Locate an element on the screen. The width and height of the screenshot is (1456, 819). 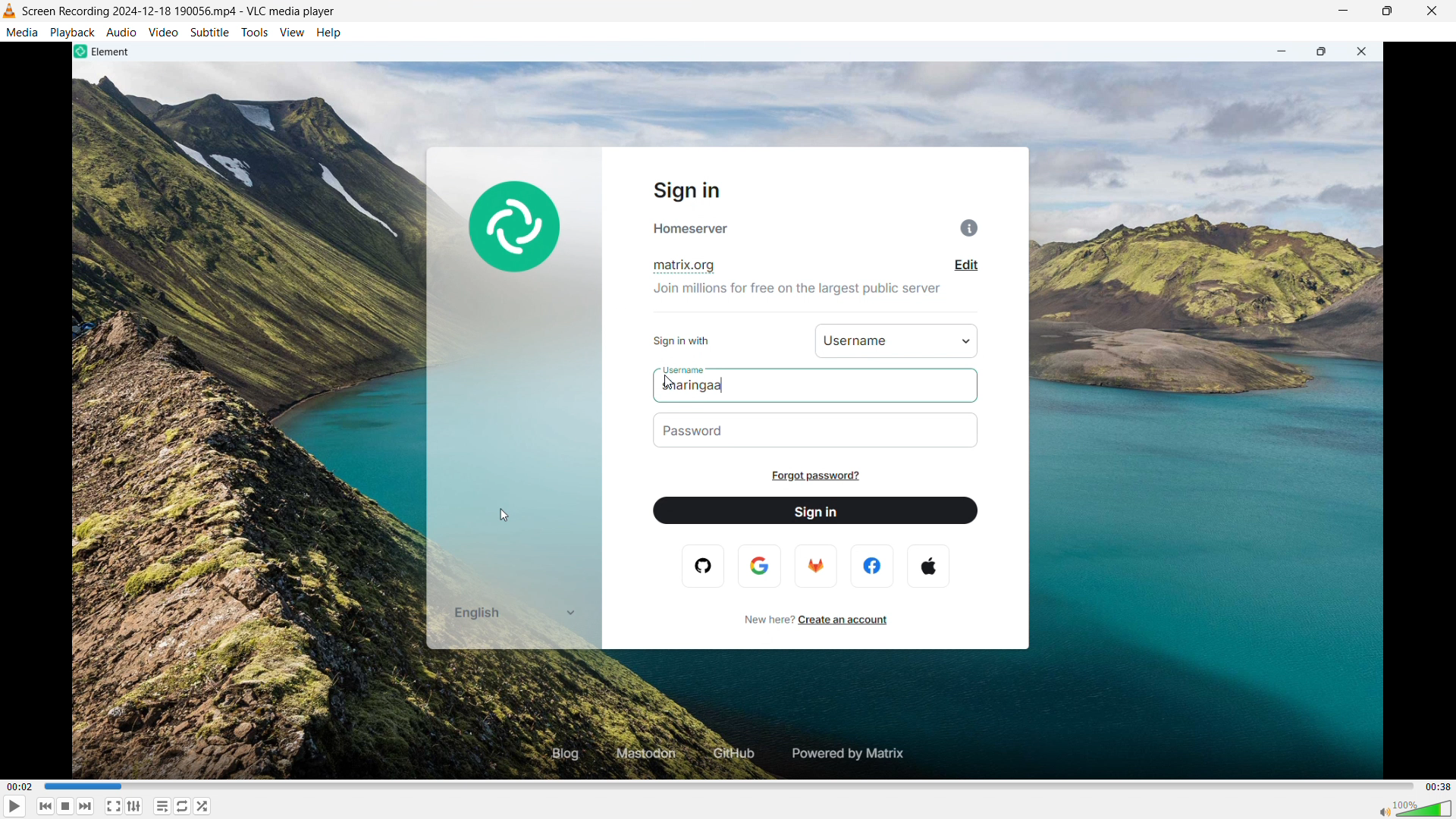
homeserver is located at coordinates (691, 230).